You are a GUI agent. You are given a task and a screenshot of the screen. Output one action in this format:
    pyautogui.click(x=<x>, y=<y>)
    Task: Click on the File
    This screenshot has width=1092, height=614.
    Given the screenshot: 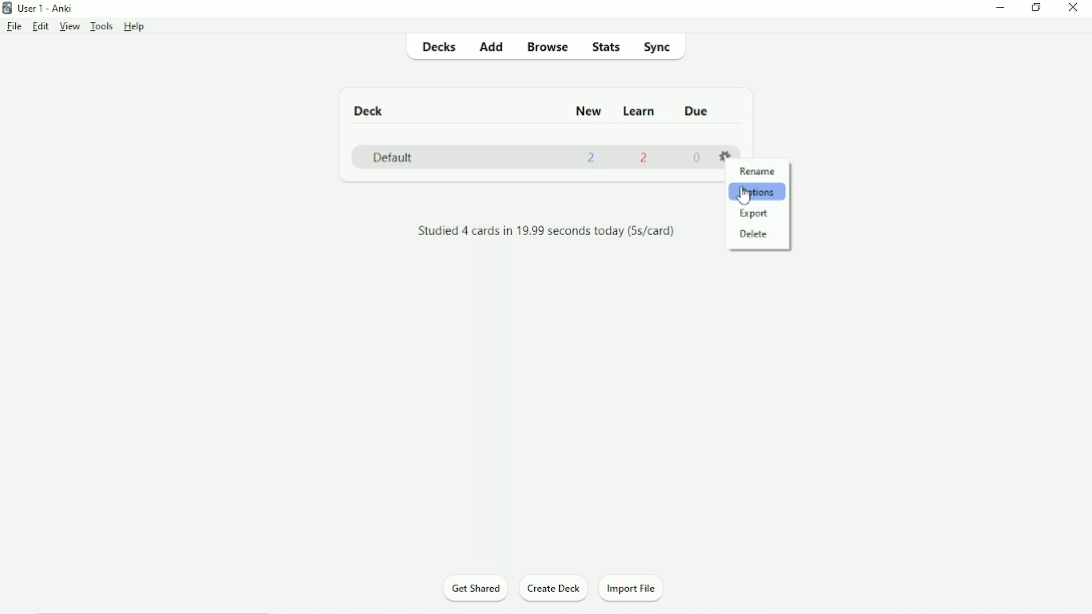 What is the action you would take?
    pyautogui.click(x=14, y=27)
    